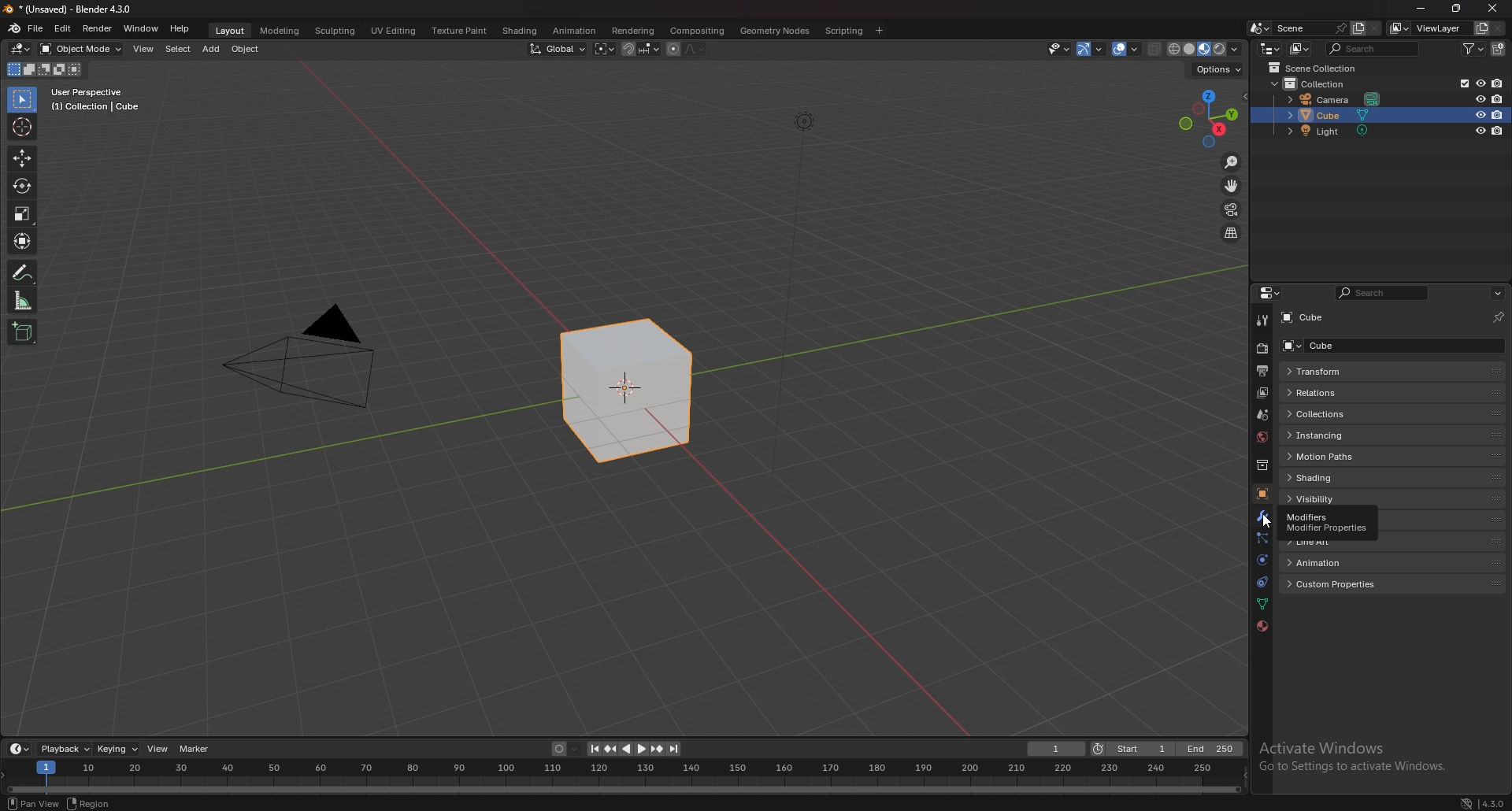  Describe the element at coordinates (1336, 457) in the screenshot. I see `motion paths` at that location.